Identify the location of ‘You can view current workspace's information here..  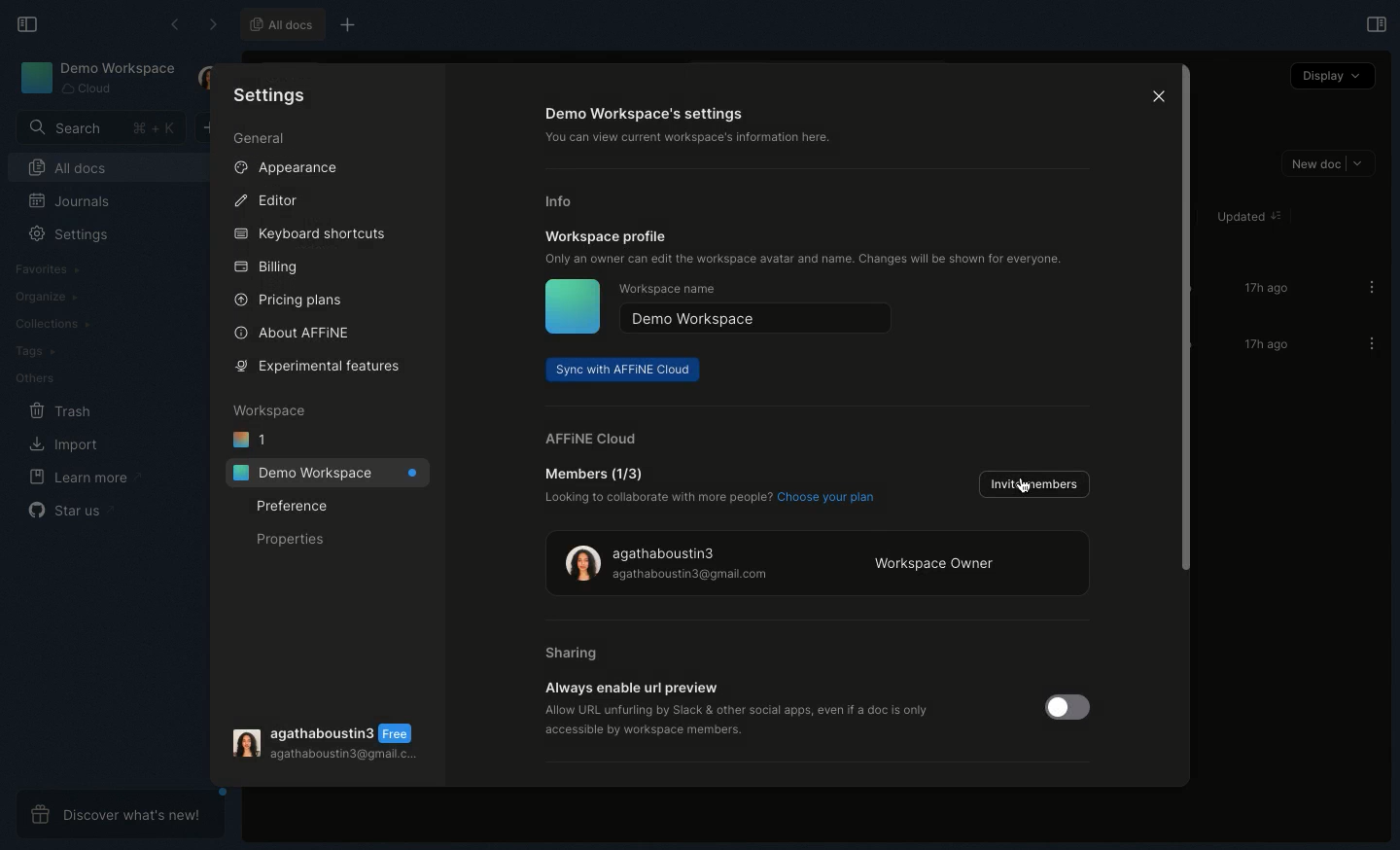
(699, 137).